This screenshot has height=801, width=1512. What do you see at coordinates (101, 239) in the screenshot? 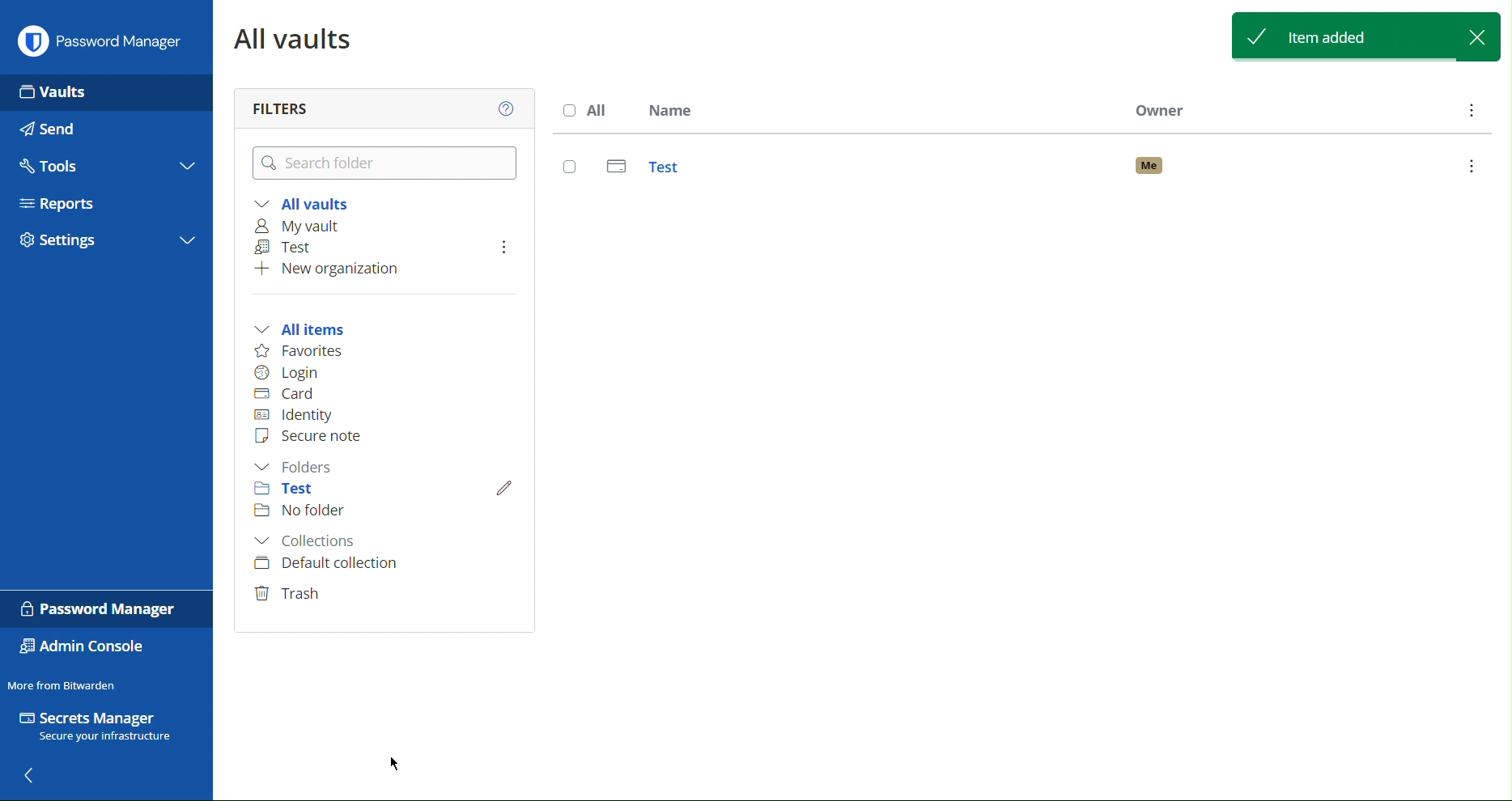
I see `Settings` at bounding box center [101, 239].